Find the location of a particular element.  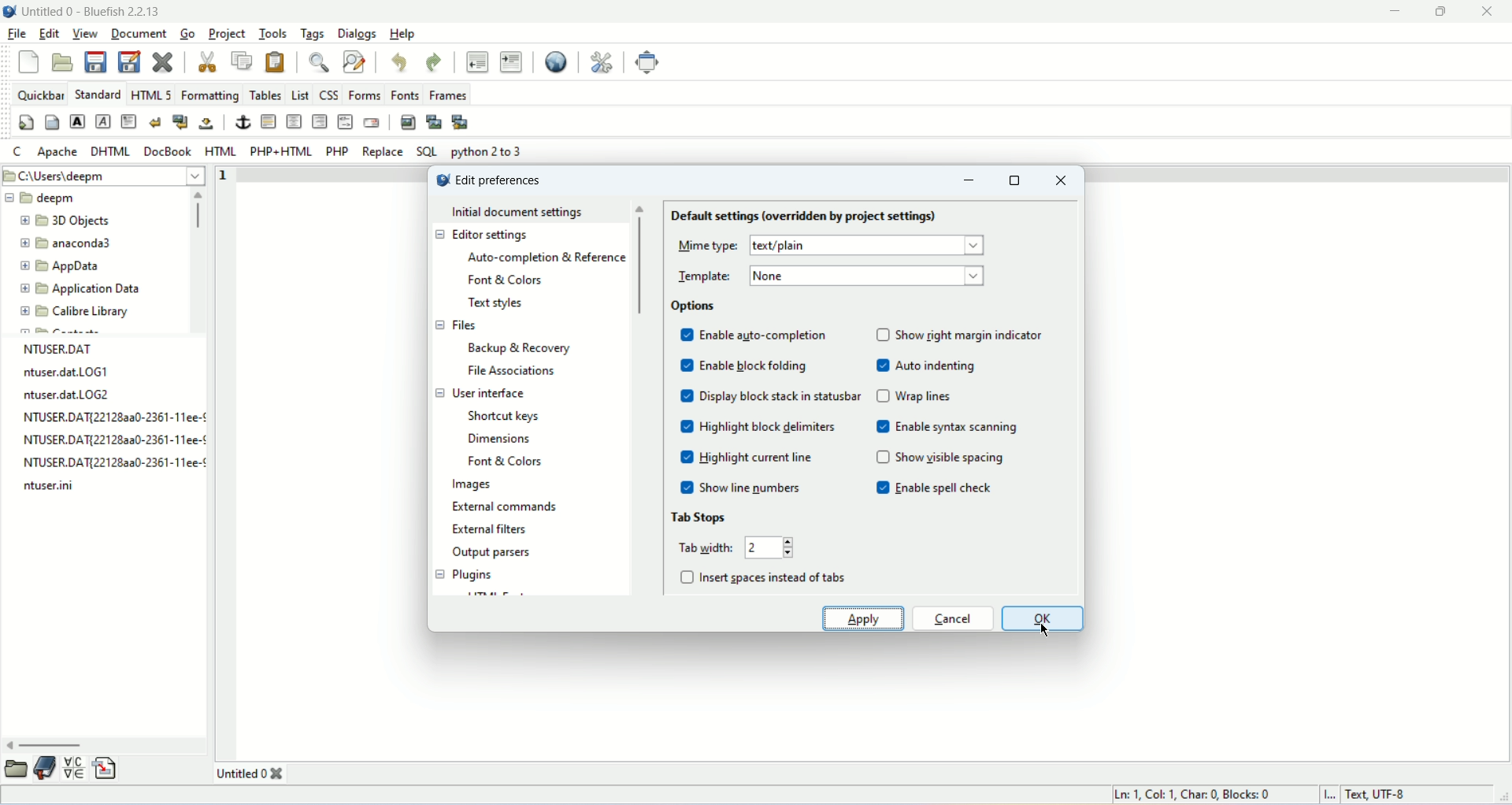

ok is located at coordinates (1043, 618).